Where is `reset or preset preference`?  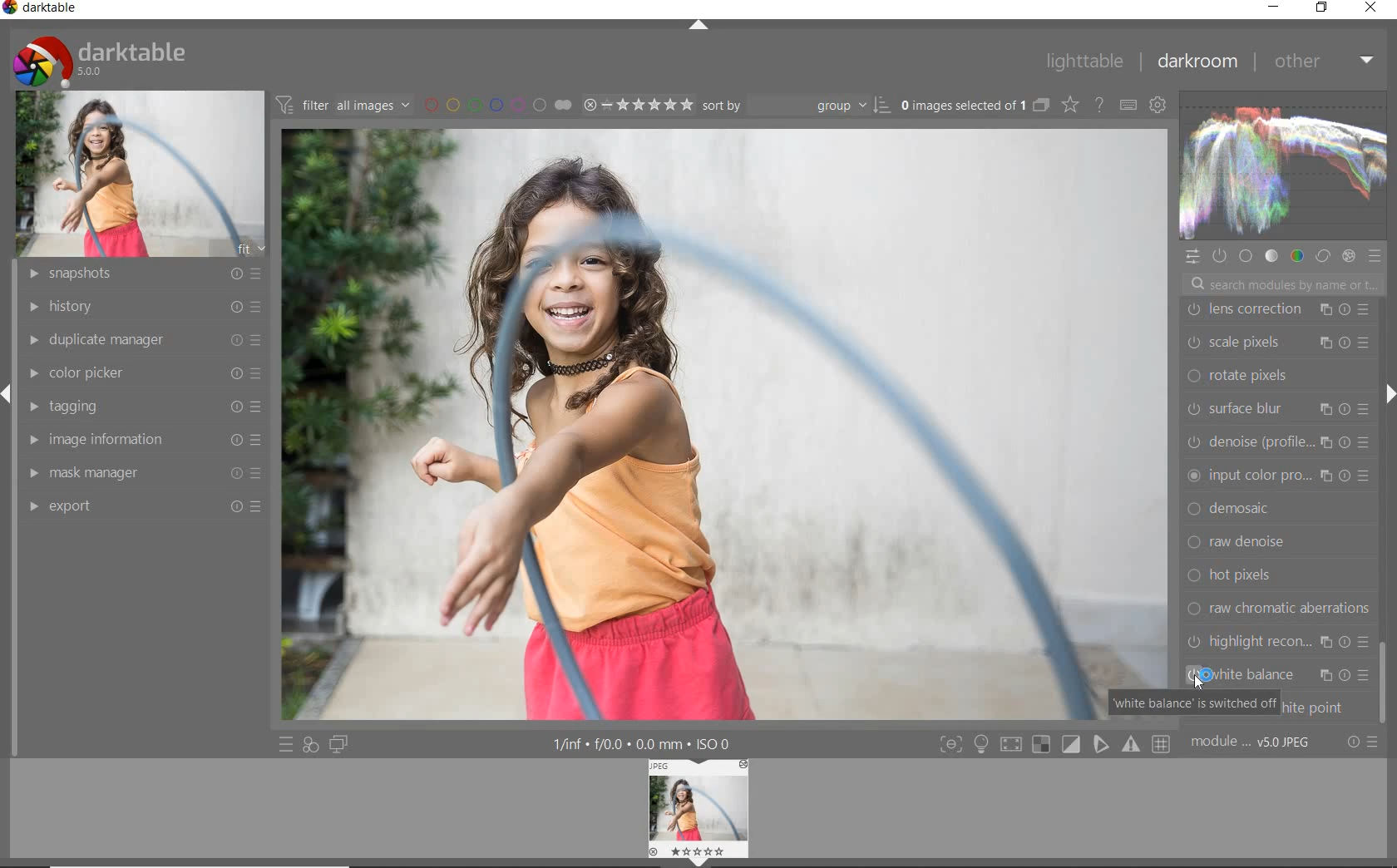
reset or preset preference is located at coordinates (1363, 745).